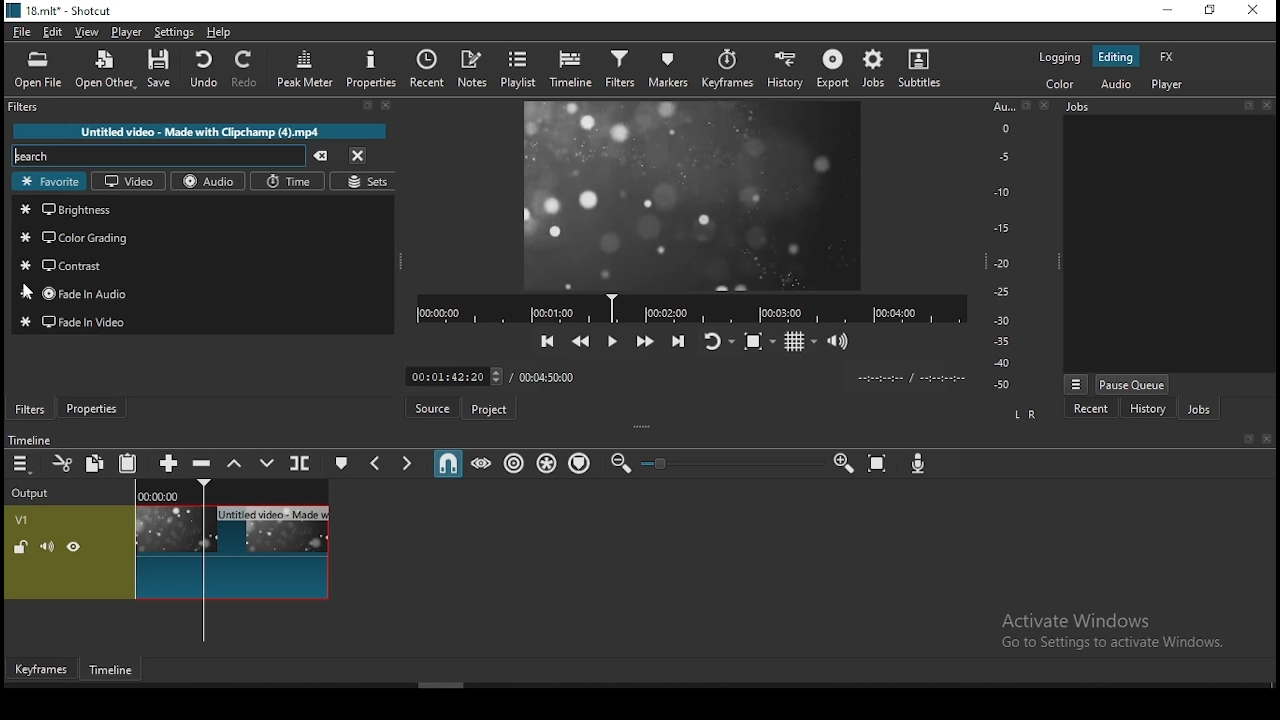  What do you see at coordinates (48, 182) in the screenshot?
I see `favorites` at bounding box center [48, 182].